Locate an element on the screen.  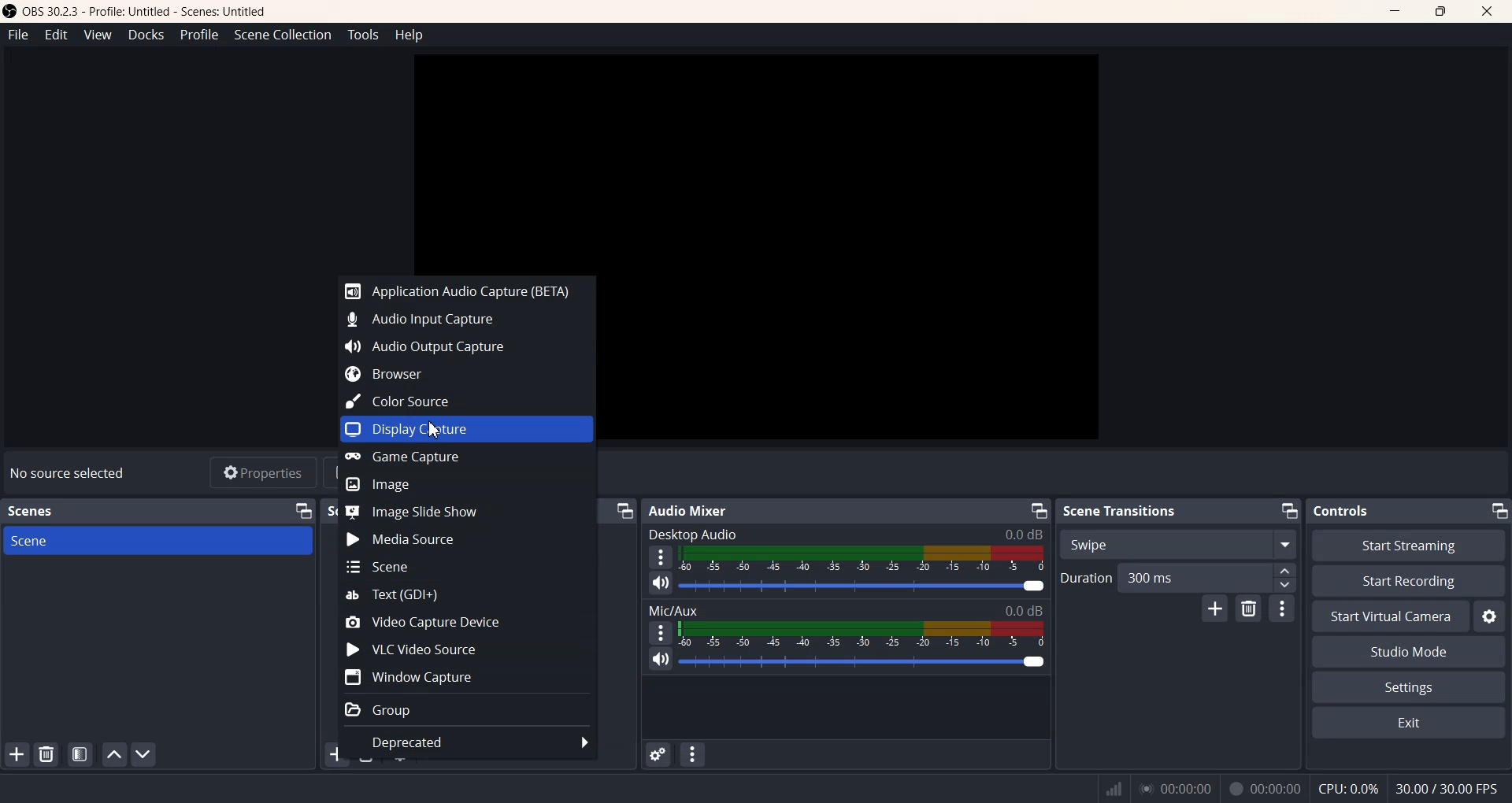
Game Capture is located at coordinates (468, 457).